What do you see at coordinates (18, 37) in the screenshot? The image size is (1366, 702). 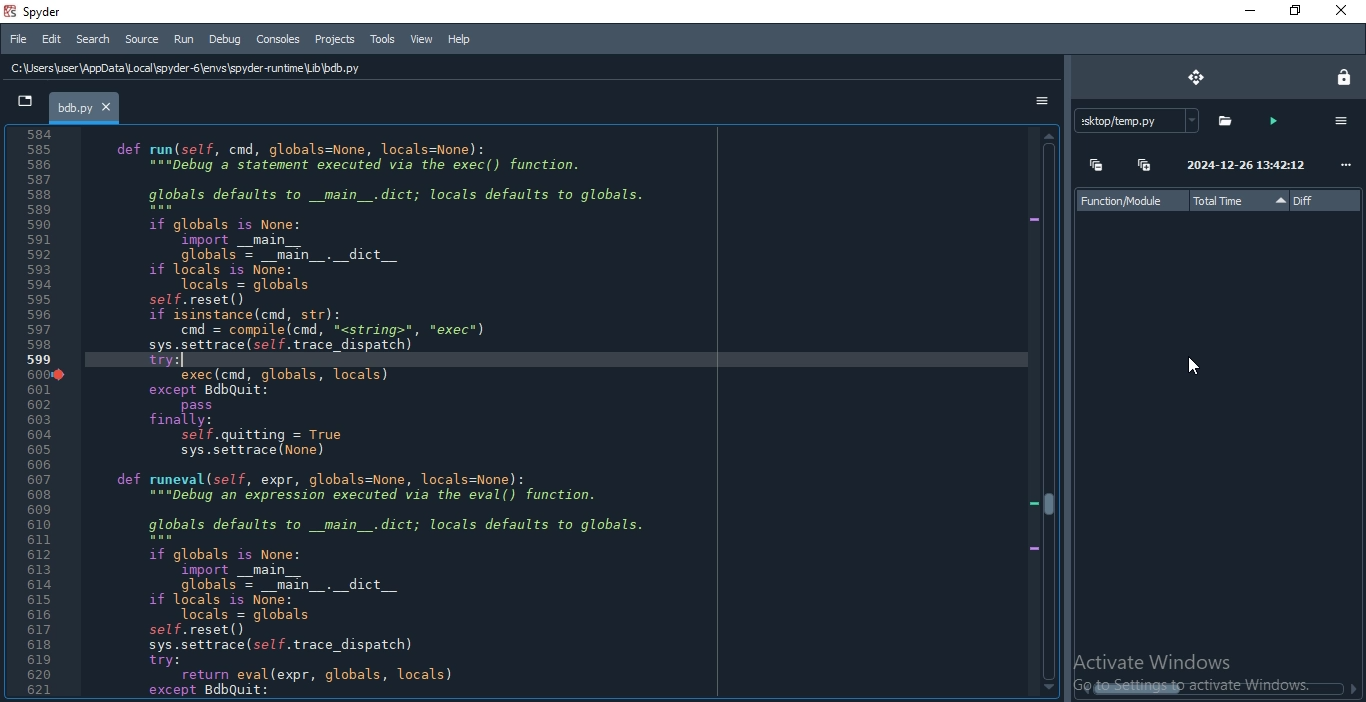 I see `File ` at bounding box center [18, 37].